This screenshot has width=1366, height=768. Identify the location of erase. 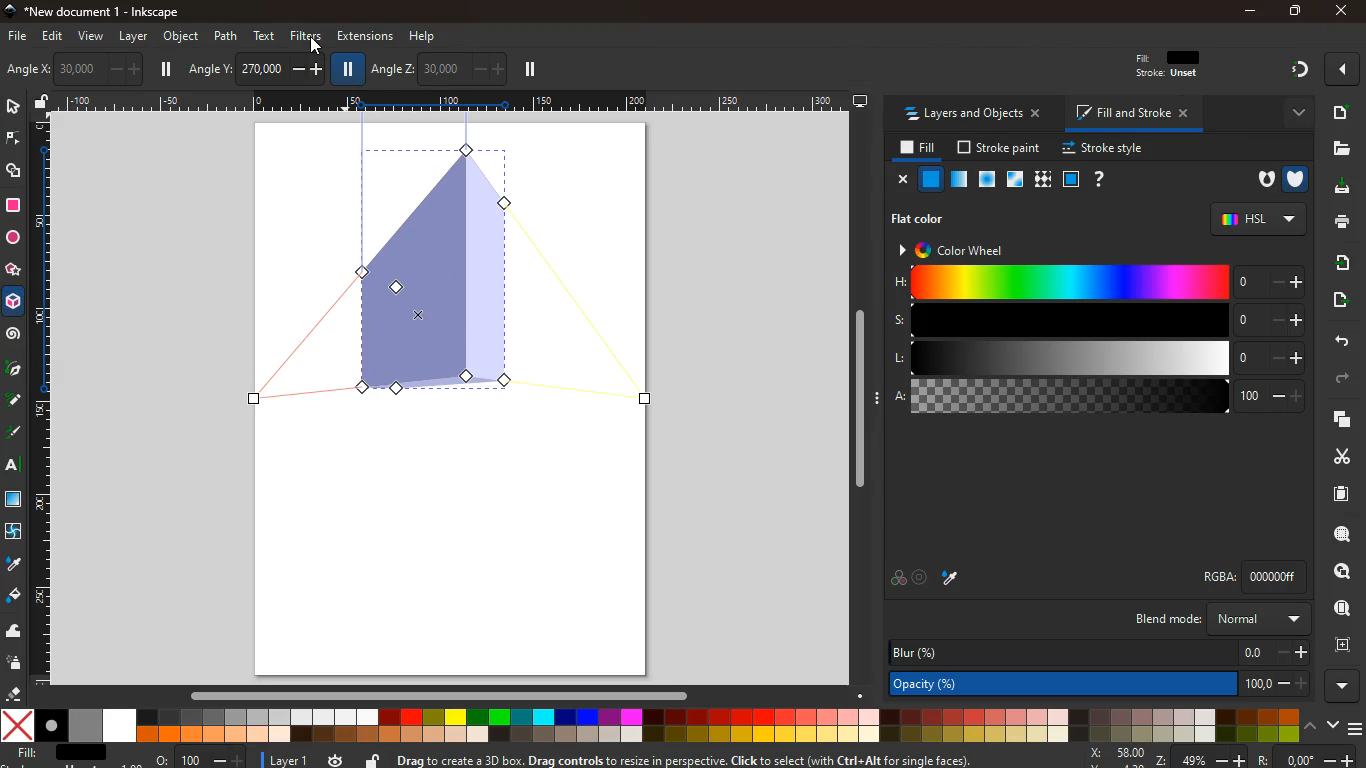
(15, 694).